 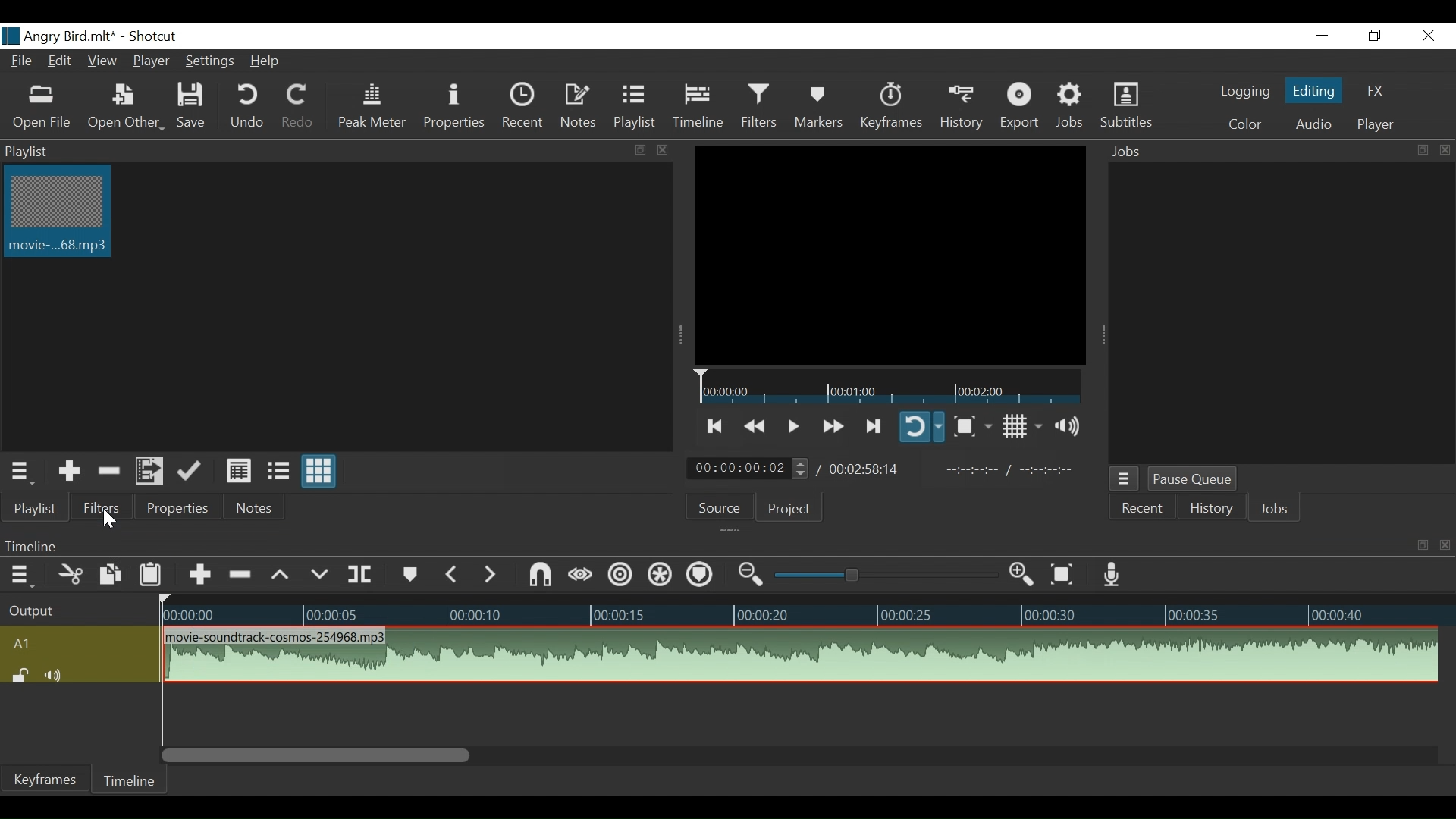 I want to click on Recent, so click(x=1143, y=508).